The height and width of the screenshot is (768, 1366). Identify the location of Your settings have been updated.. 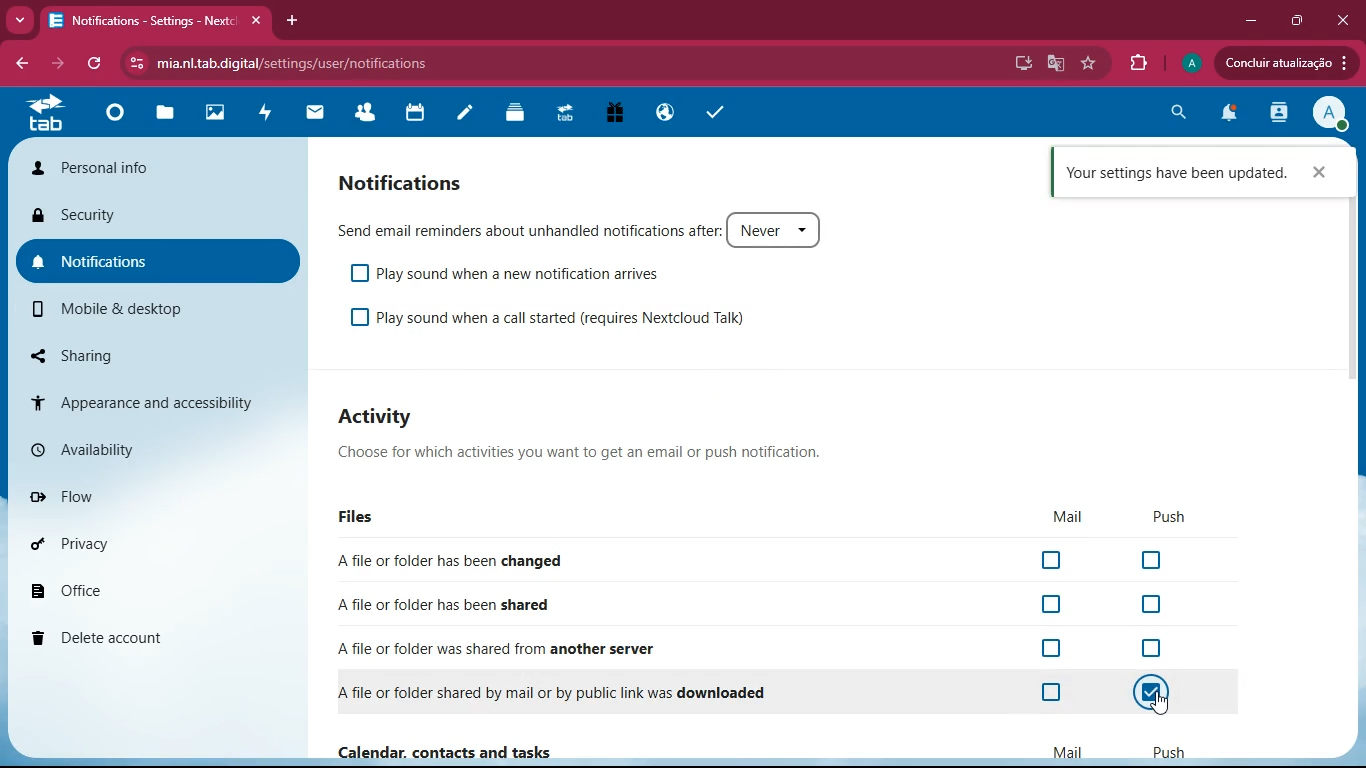
(1174, 172).